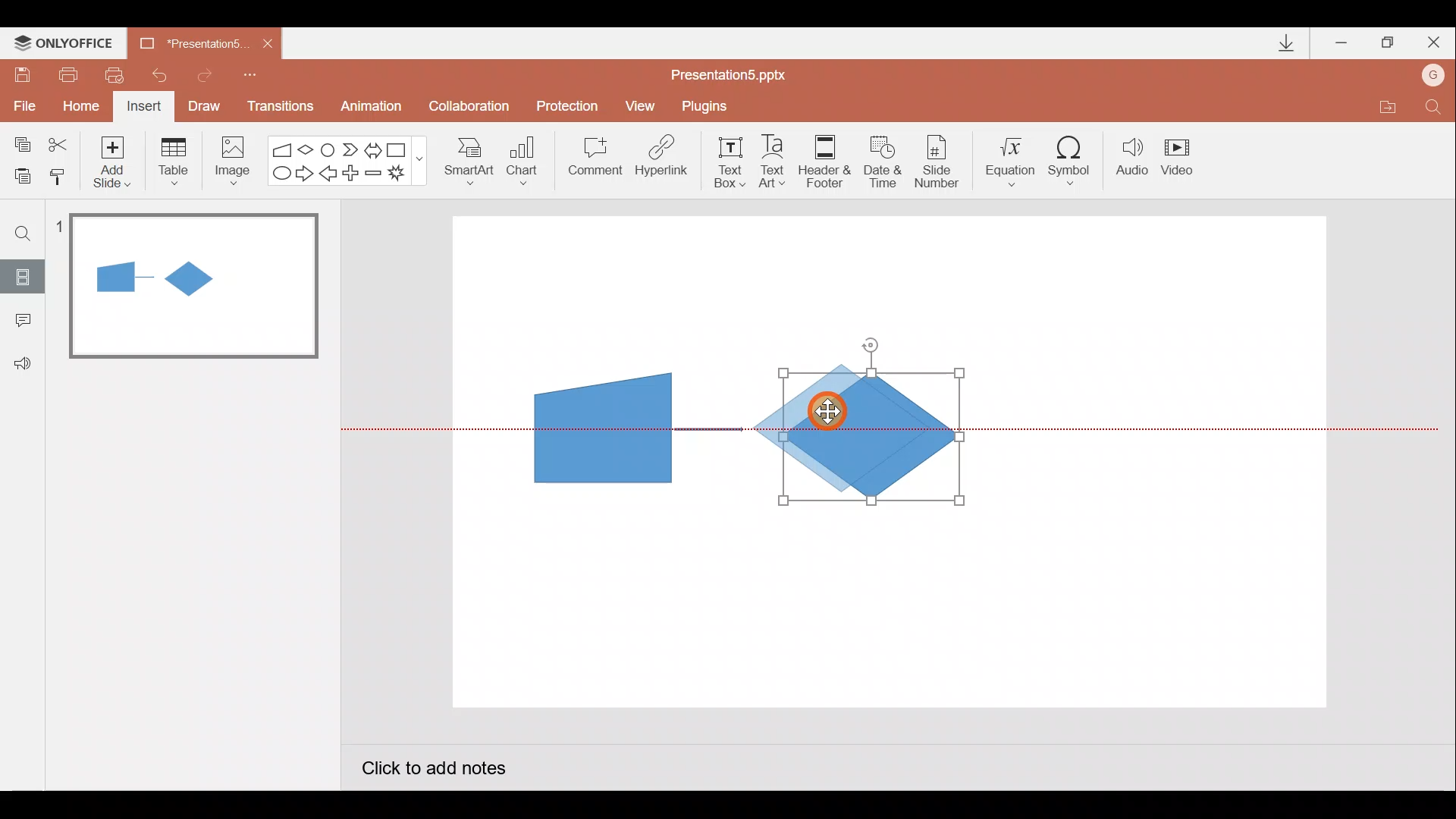 The image size is (1456, 819). What do you see at coordinates (1433, 109) in the screenshot?
I see `Find` at bounding box center [1433, 109].